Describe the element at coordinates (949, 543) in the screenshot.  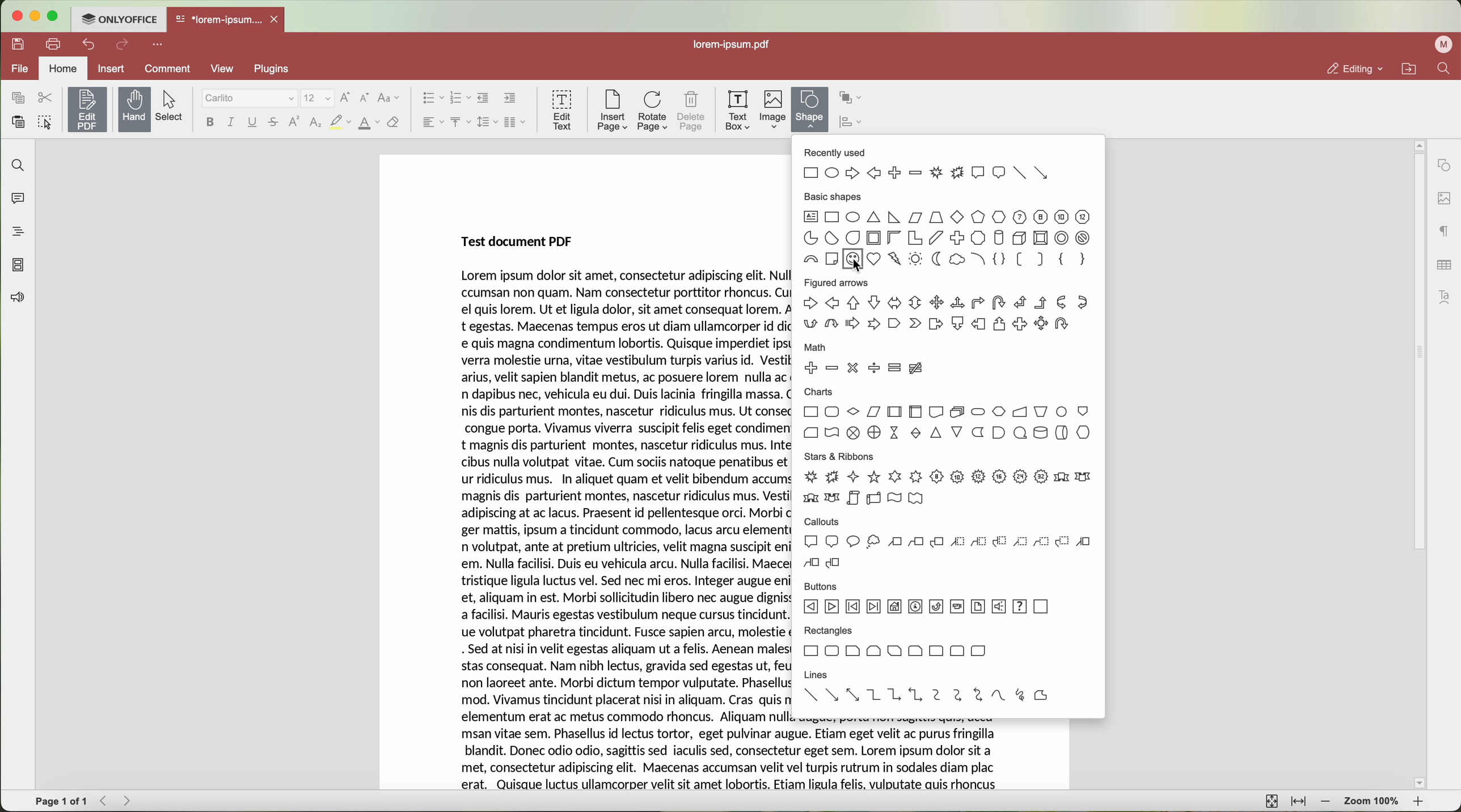
I see `callouts` at that location.